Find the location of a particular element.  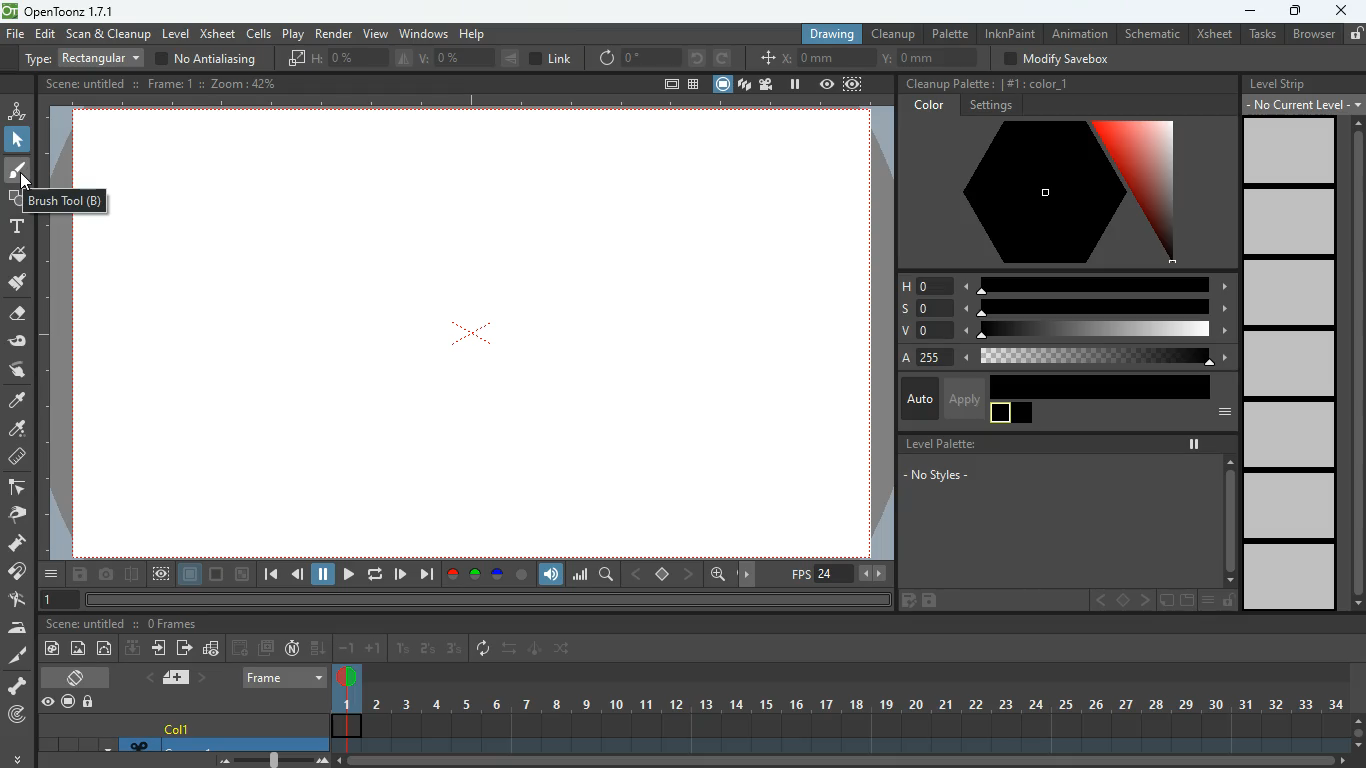

paint is located at coordinates (15, 430).